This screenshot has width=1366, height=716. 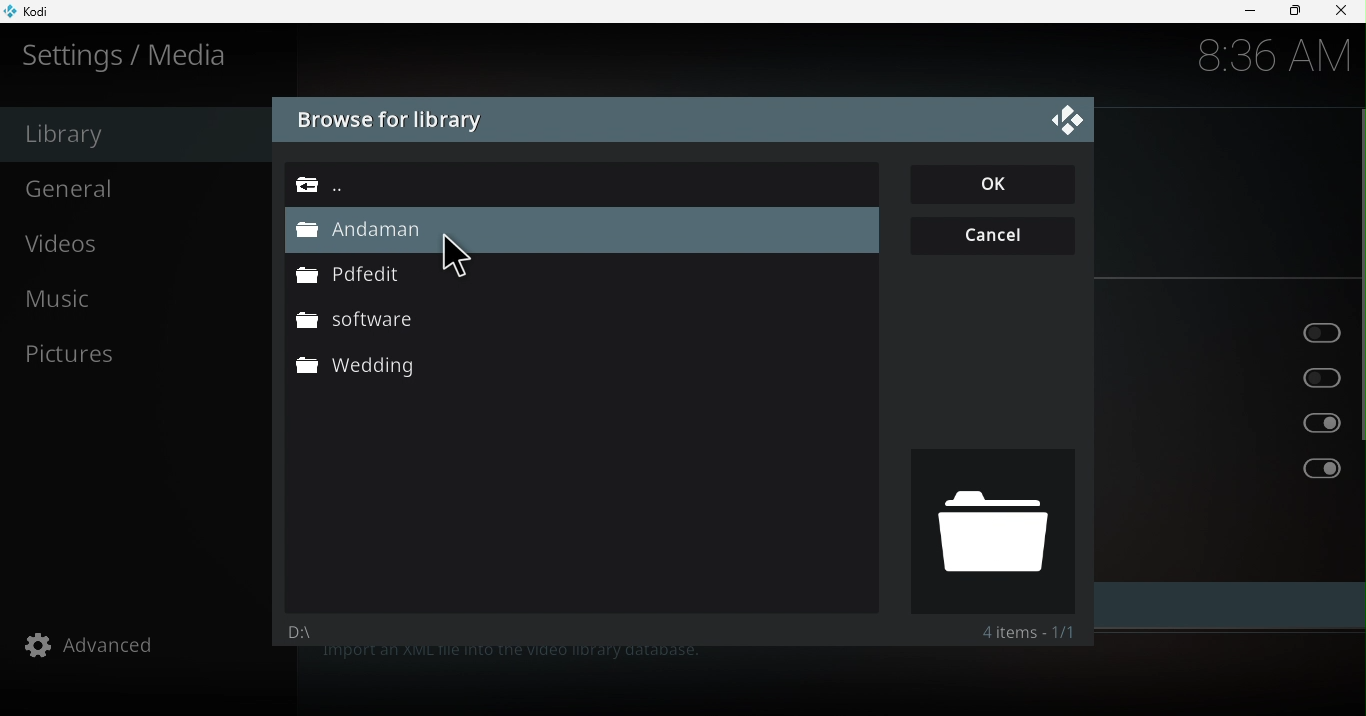 What do you see at coordinates (1242, 12) in the screenshot?
I see `Minimize` at bounding box center [1242, 12].